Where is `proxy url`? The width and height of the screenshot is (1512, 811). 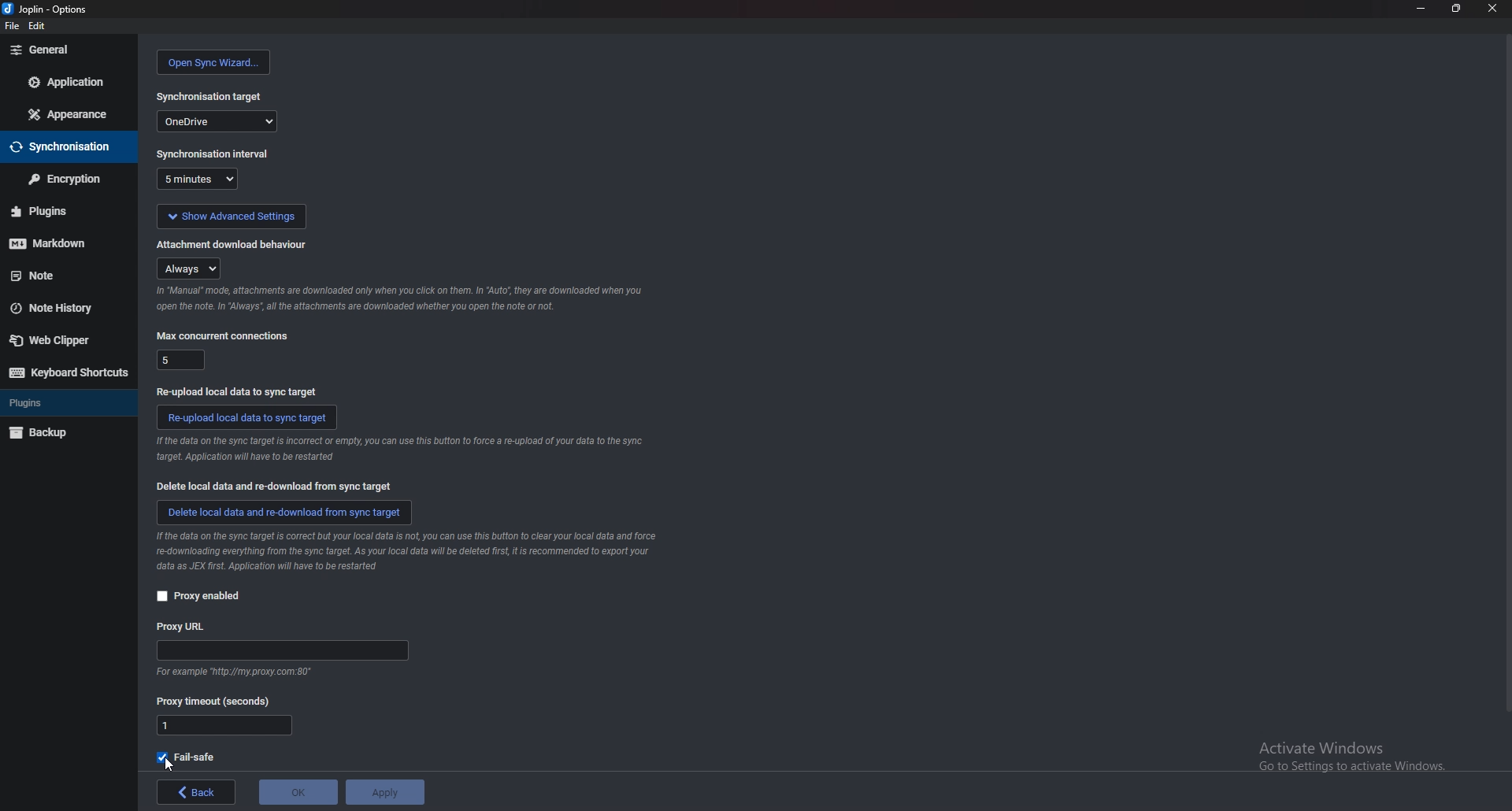
proxy url is located at coordinates (185, 626).